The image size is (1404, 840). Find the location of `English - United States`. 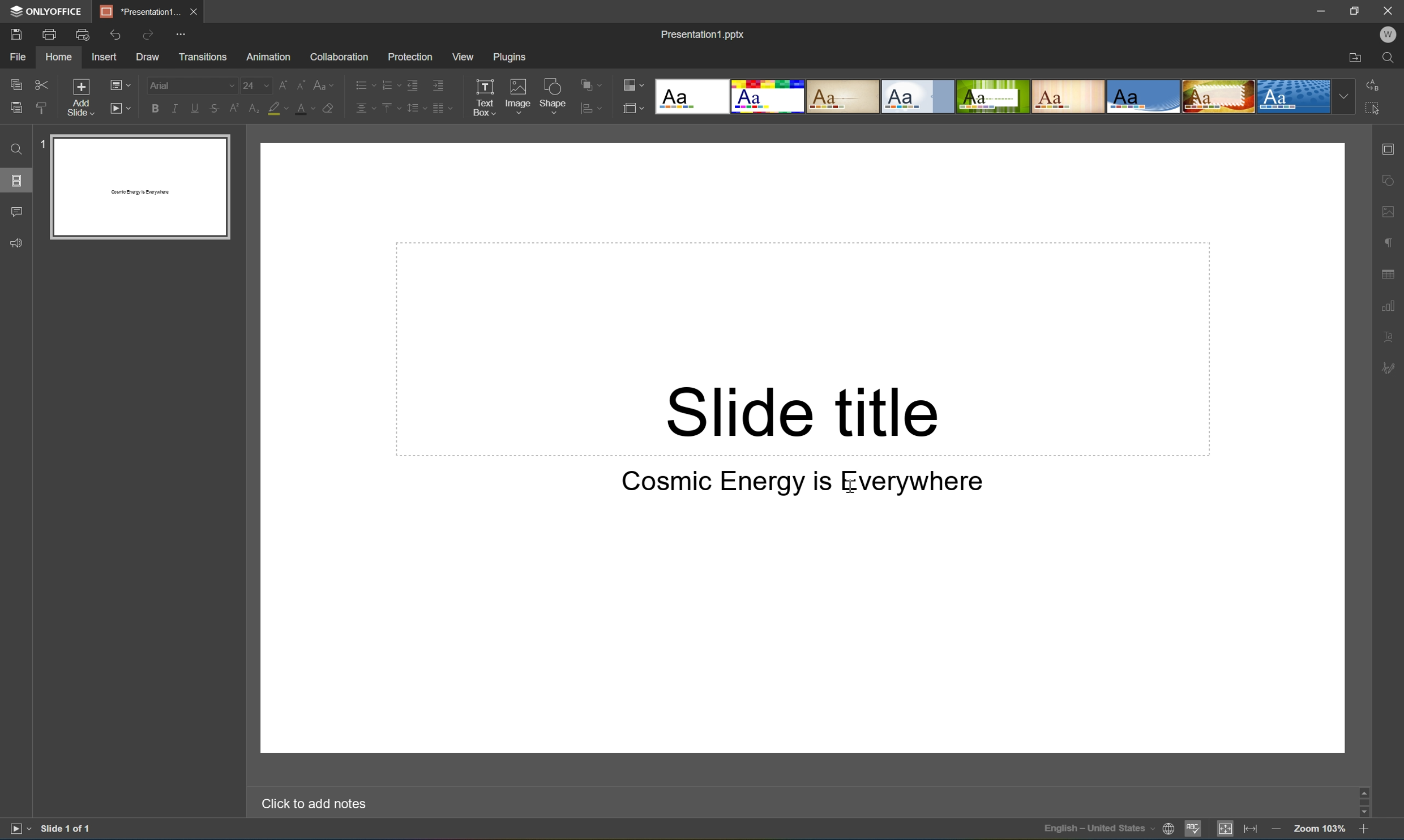

English - United States is located at coordinates (1098, 829).